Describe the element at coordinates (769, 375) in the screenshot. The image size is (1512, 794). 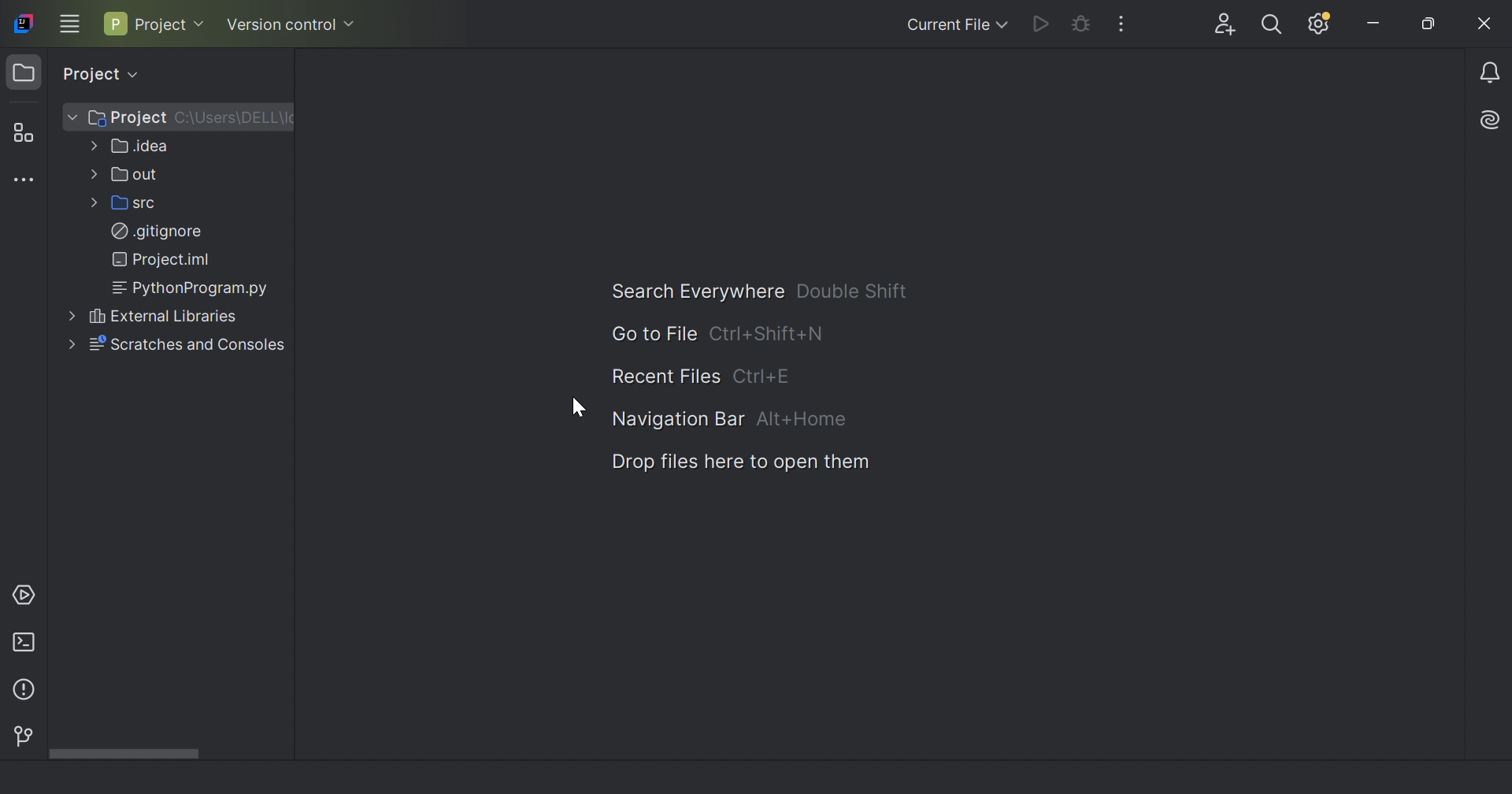
I see `Ctrl+E` at that location.